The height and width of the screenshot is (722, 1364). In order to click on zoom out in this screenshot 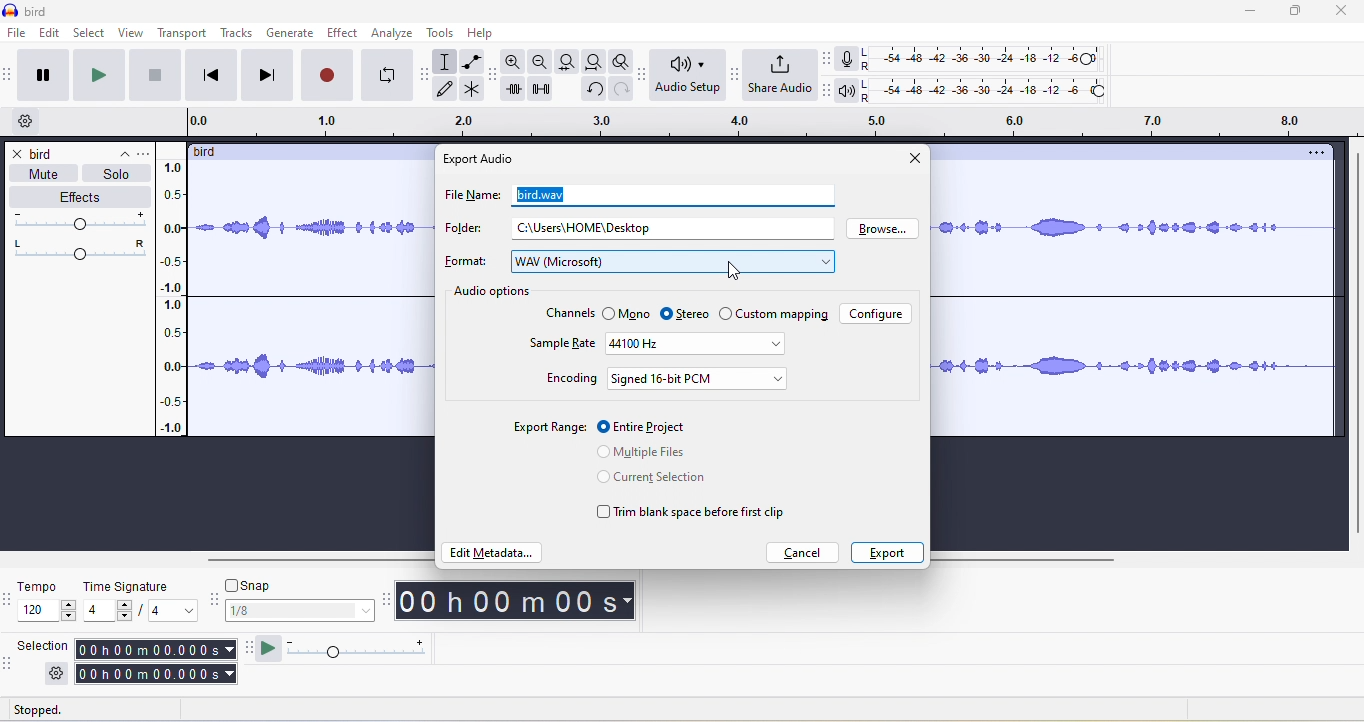, I will do `click(541, 62)`.